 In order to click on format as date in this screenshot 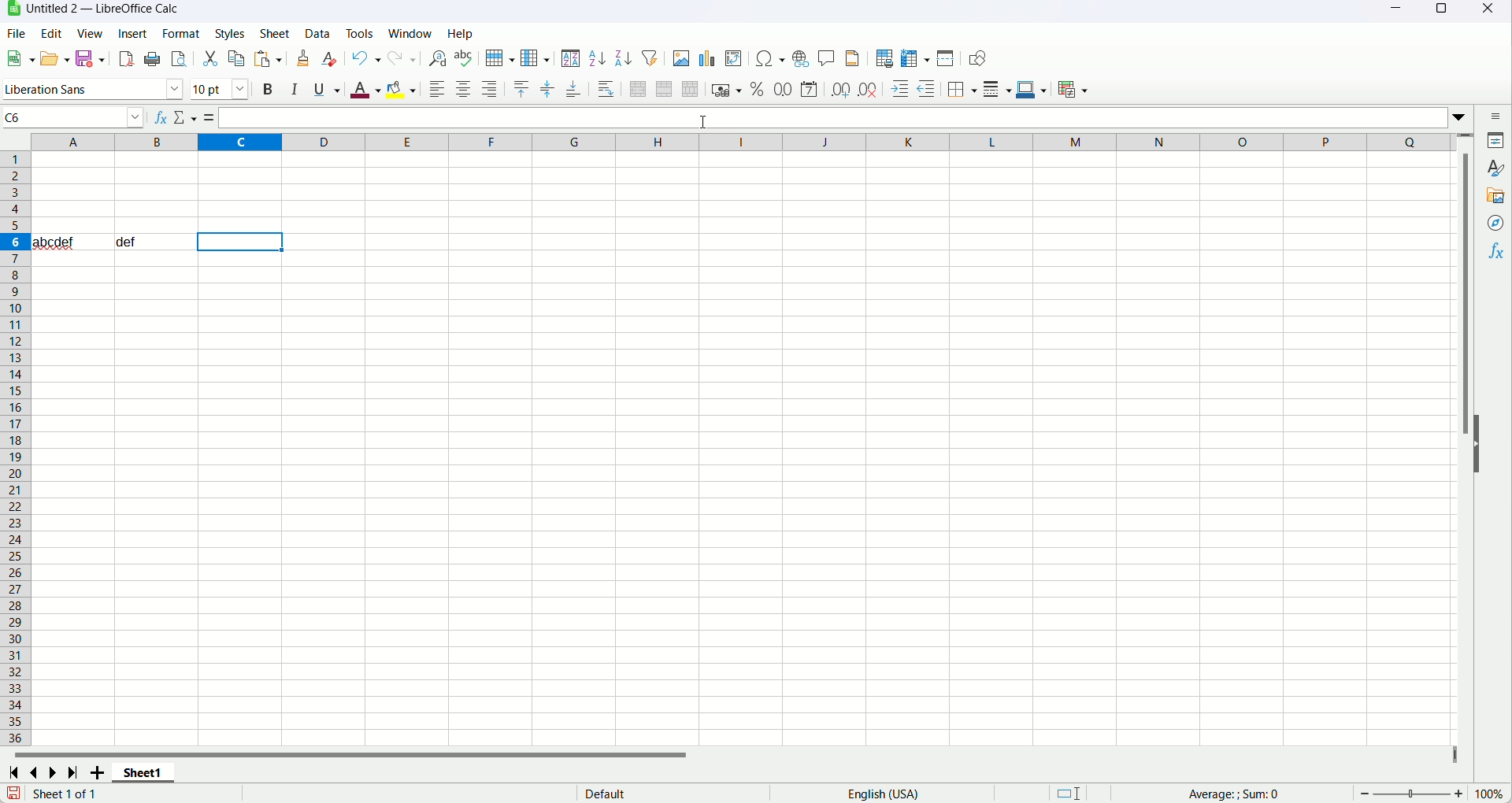, I will do `click(809, 88)`.